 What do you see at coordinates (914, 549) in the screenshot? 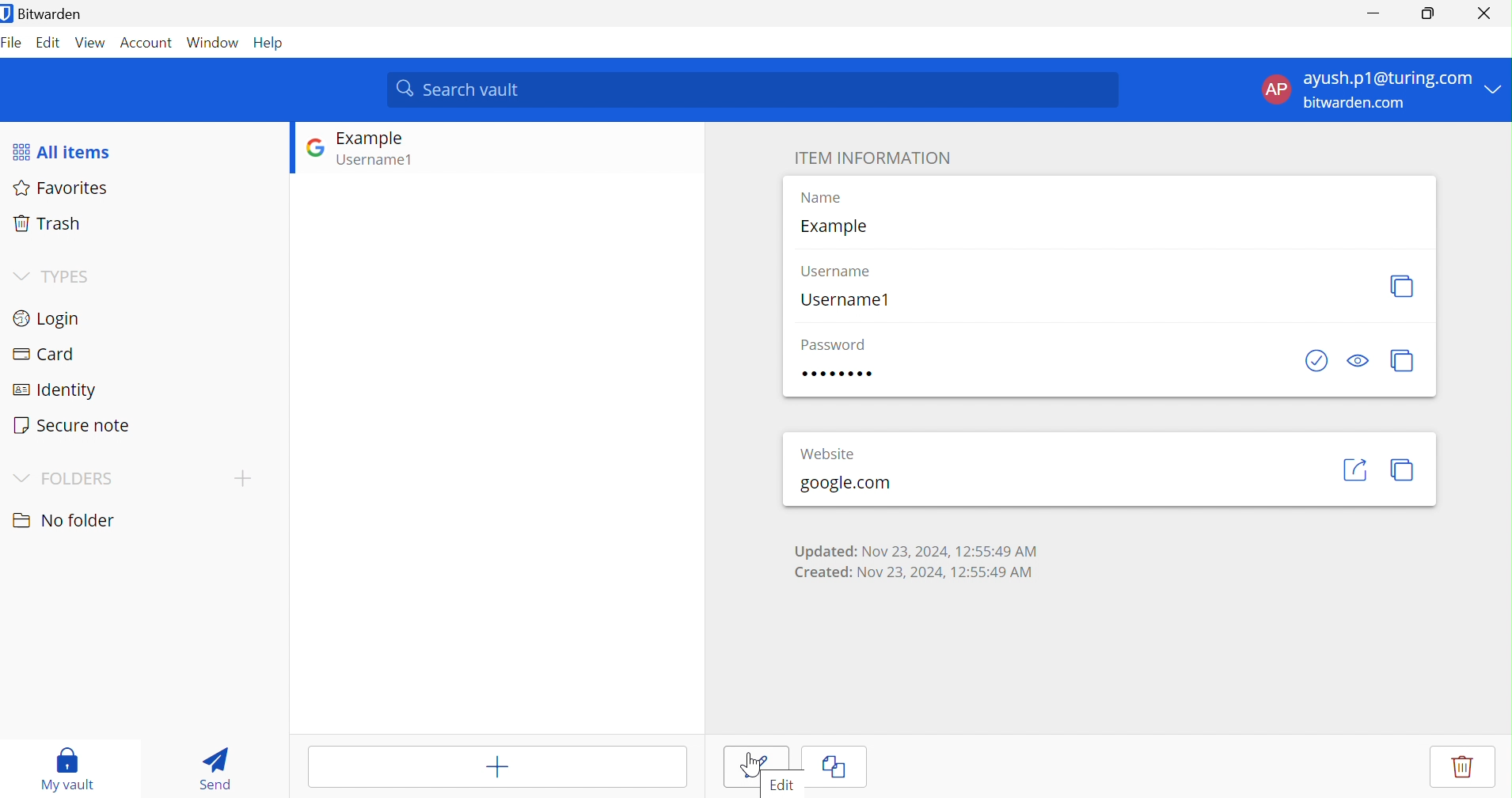
I see `Updated: Nov 23, 2024, 12:55:49 AM` at bounding box center [914, 549].